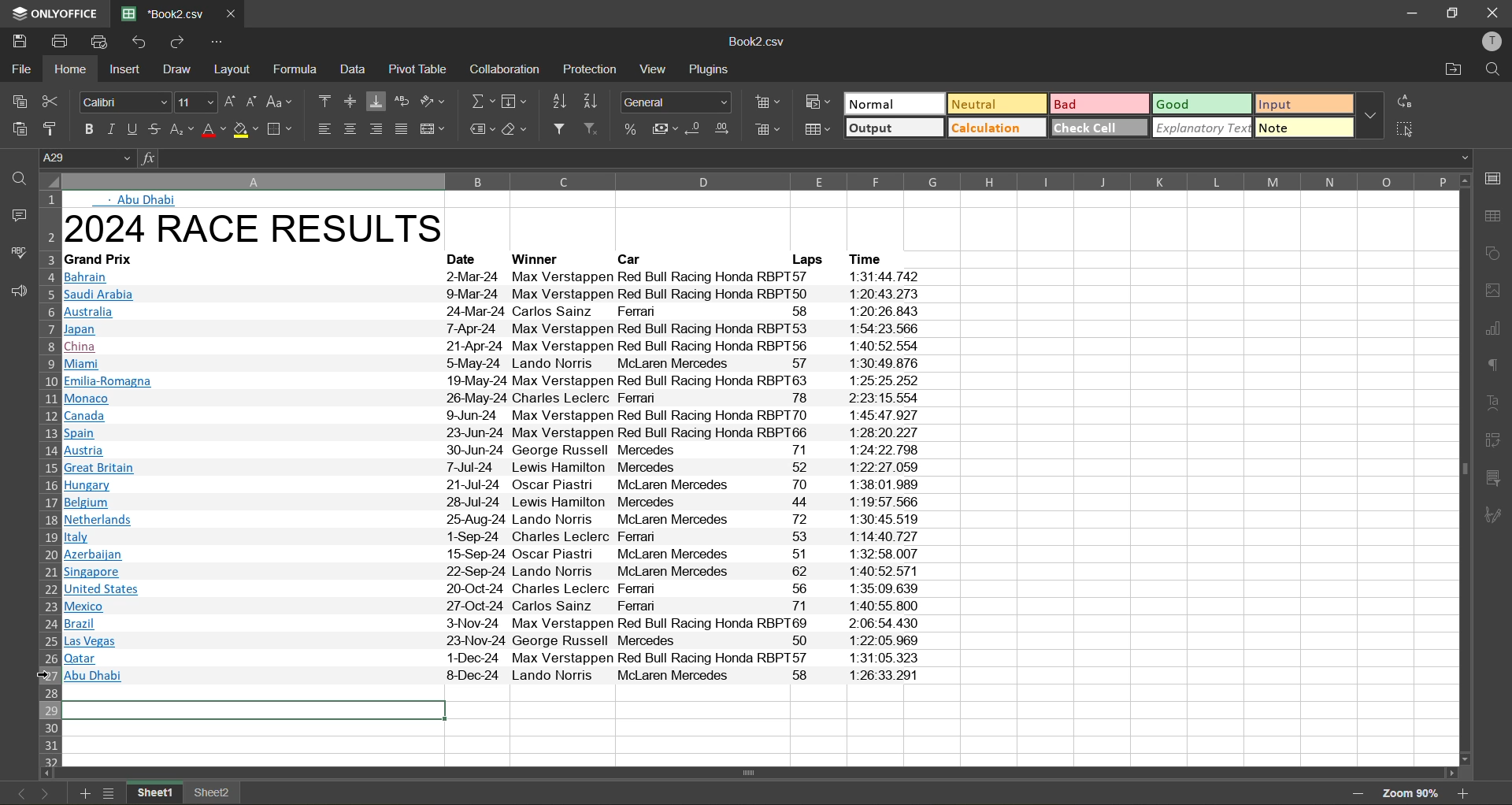  Describe the element at coordinates (263, 230) in the screenshot. I see `heading` at that location.